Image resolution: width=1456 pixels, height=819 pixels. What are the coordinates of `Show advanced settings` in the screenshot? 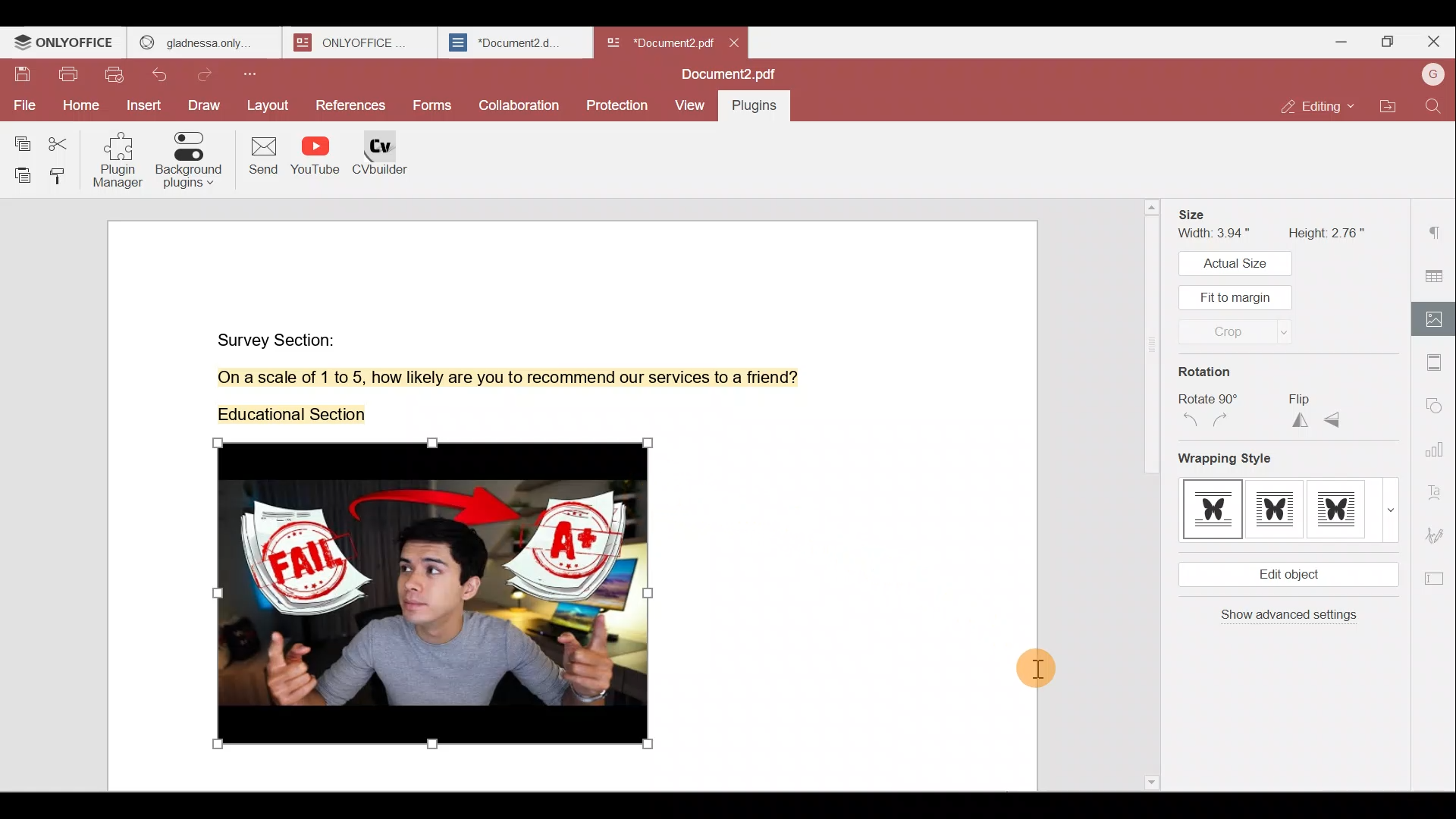 It's located at (1292, 621).